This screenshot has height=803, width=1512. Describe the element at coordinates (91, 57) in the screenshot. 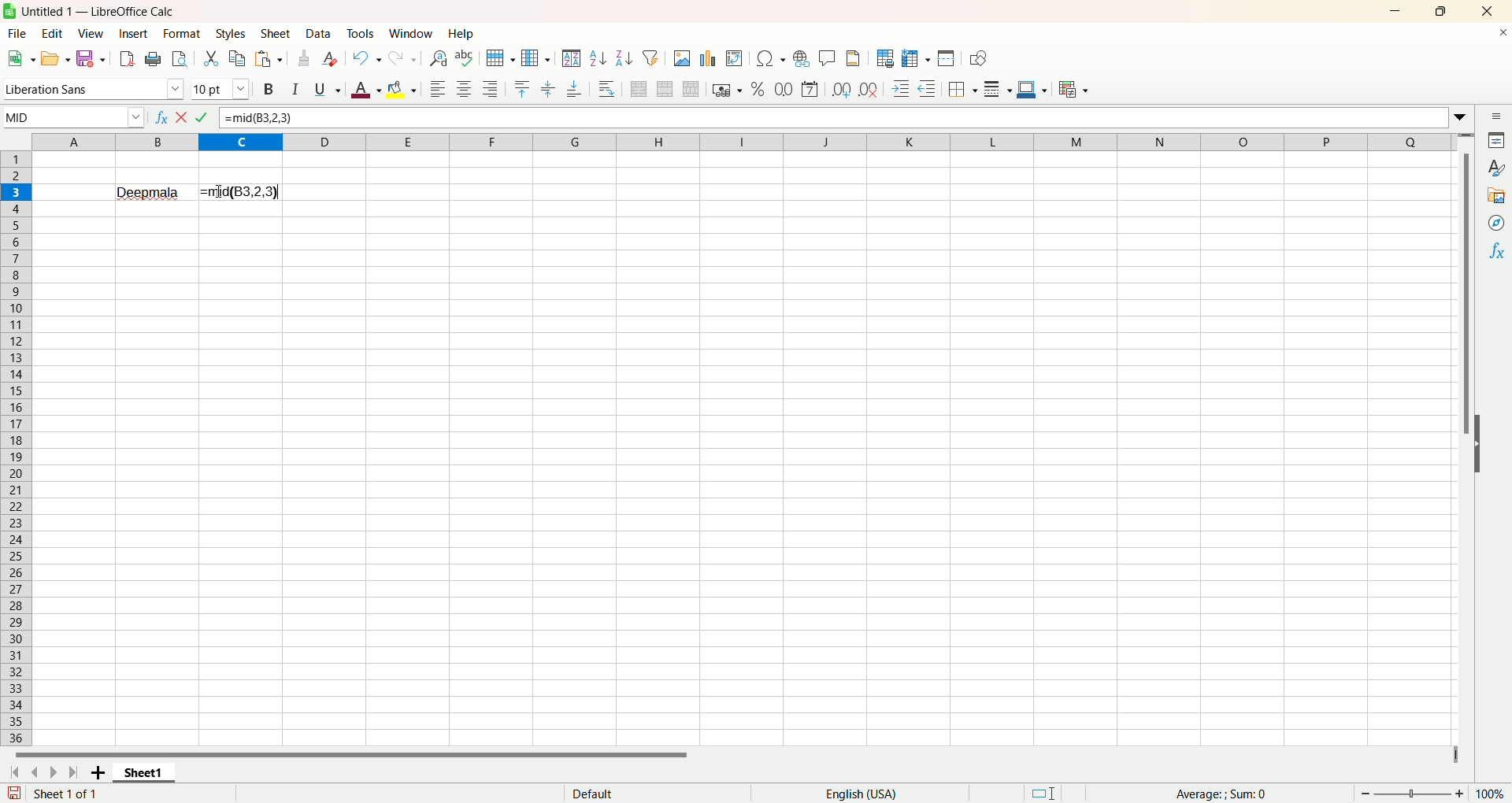

I see `Save` at that location.